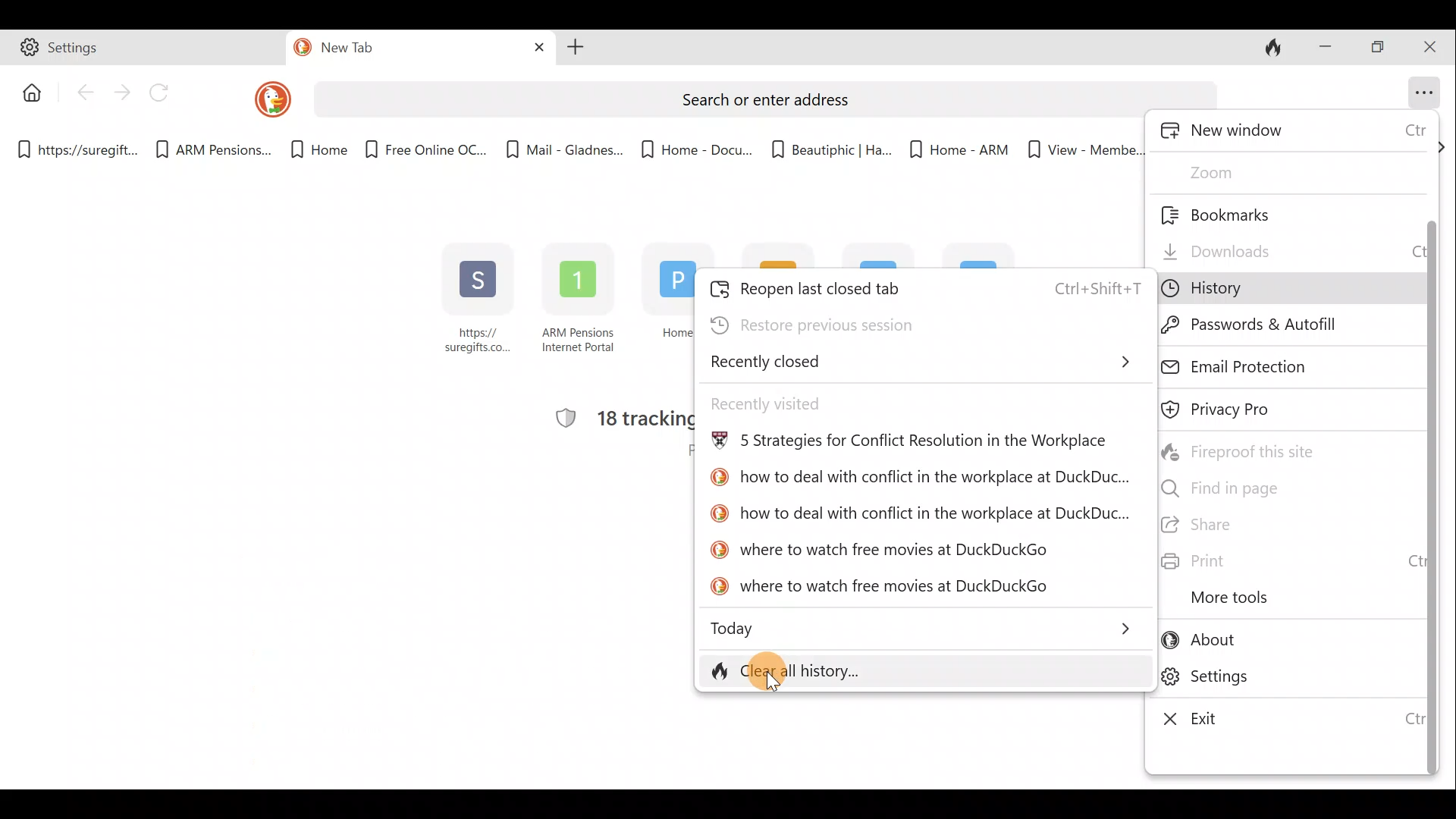  I want to click on Close tab, so click(534, 48).